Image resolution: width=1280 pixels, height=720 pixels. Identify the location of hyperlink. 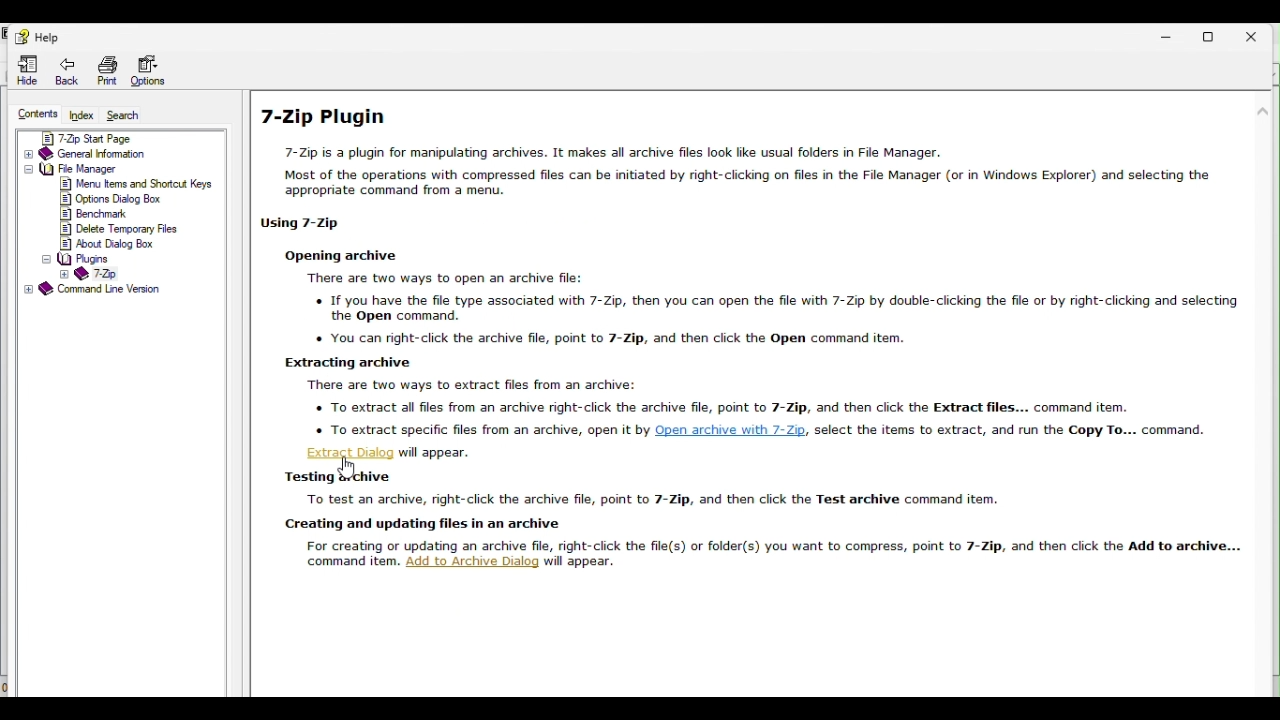
(731, 430).